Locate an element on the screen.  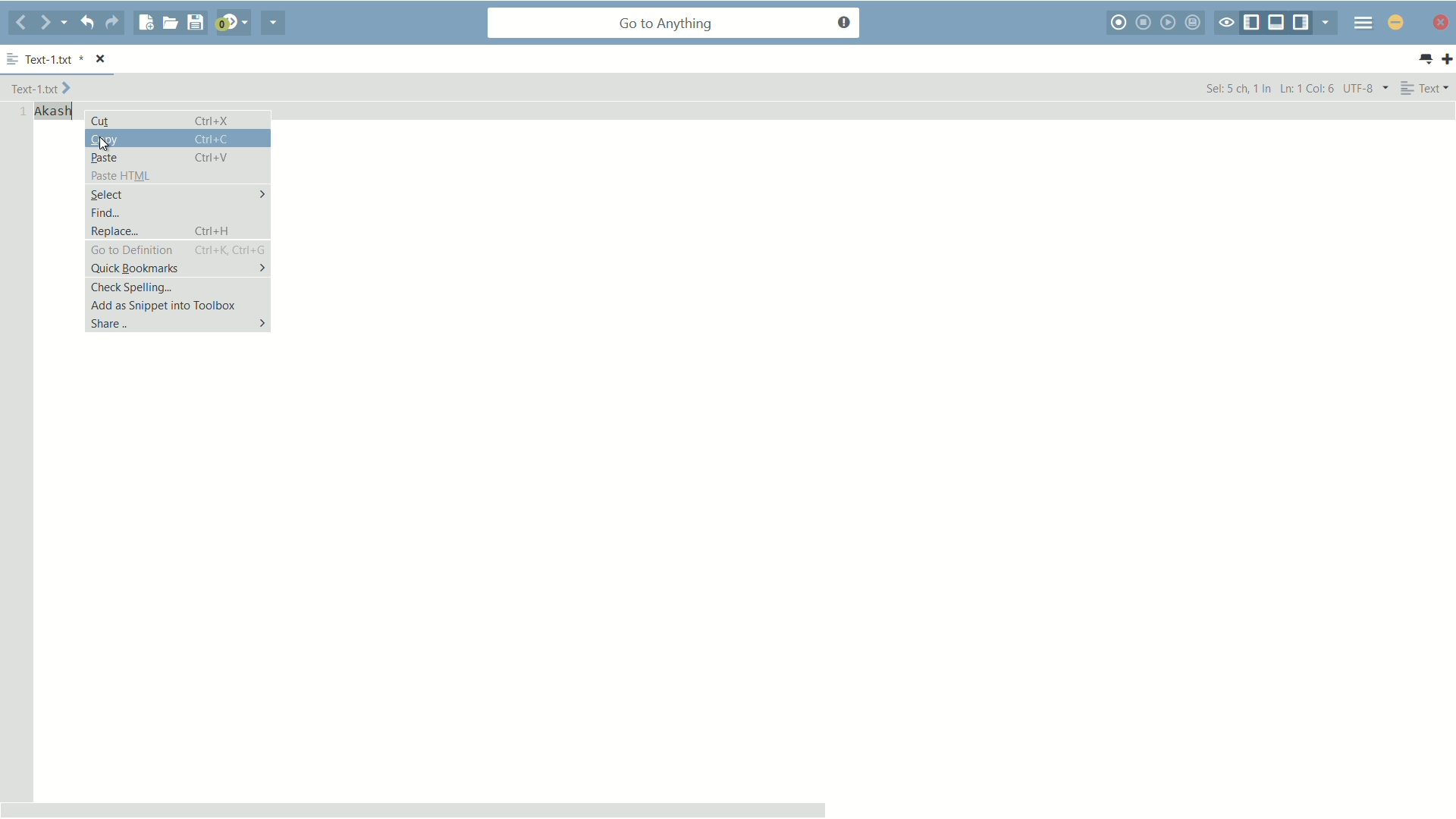
menu is located at coordinates (1363, 22).